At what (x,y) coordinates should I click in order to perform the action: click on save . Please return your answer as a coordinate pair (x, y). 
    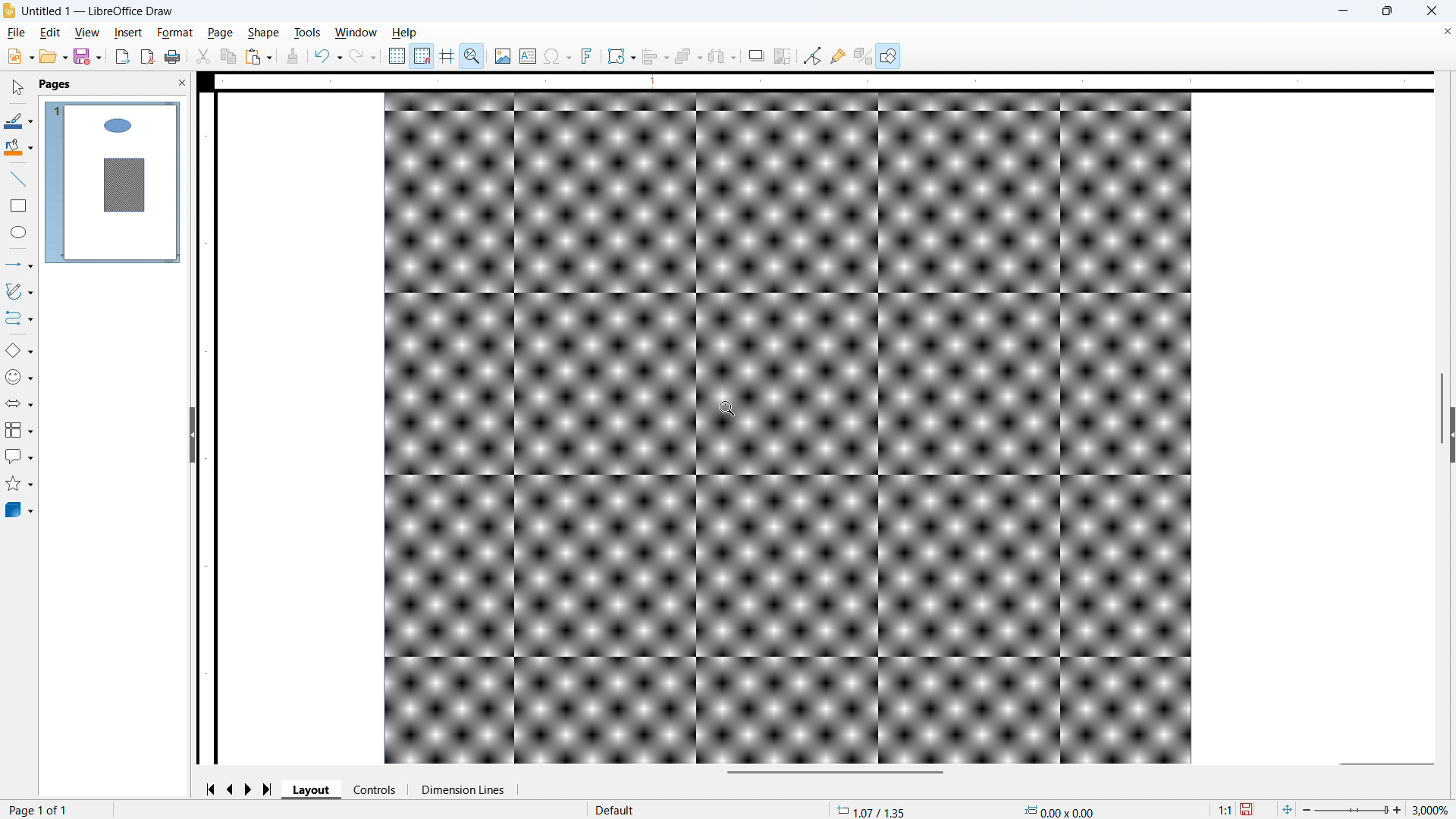
    Looking at the image, I should click on (87, 57).